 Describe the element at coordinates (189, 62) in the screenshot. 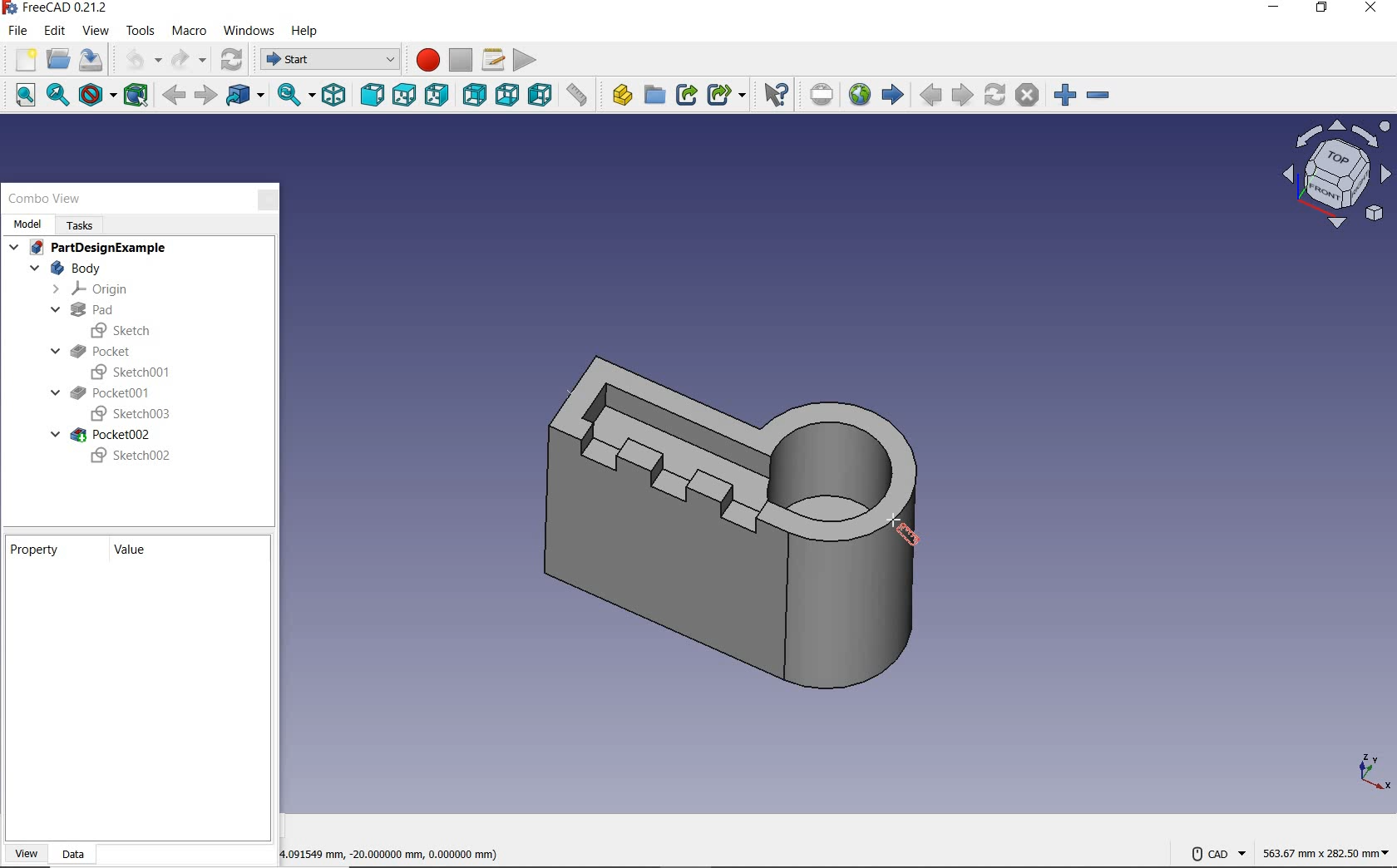

I see `redo` at that location.